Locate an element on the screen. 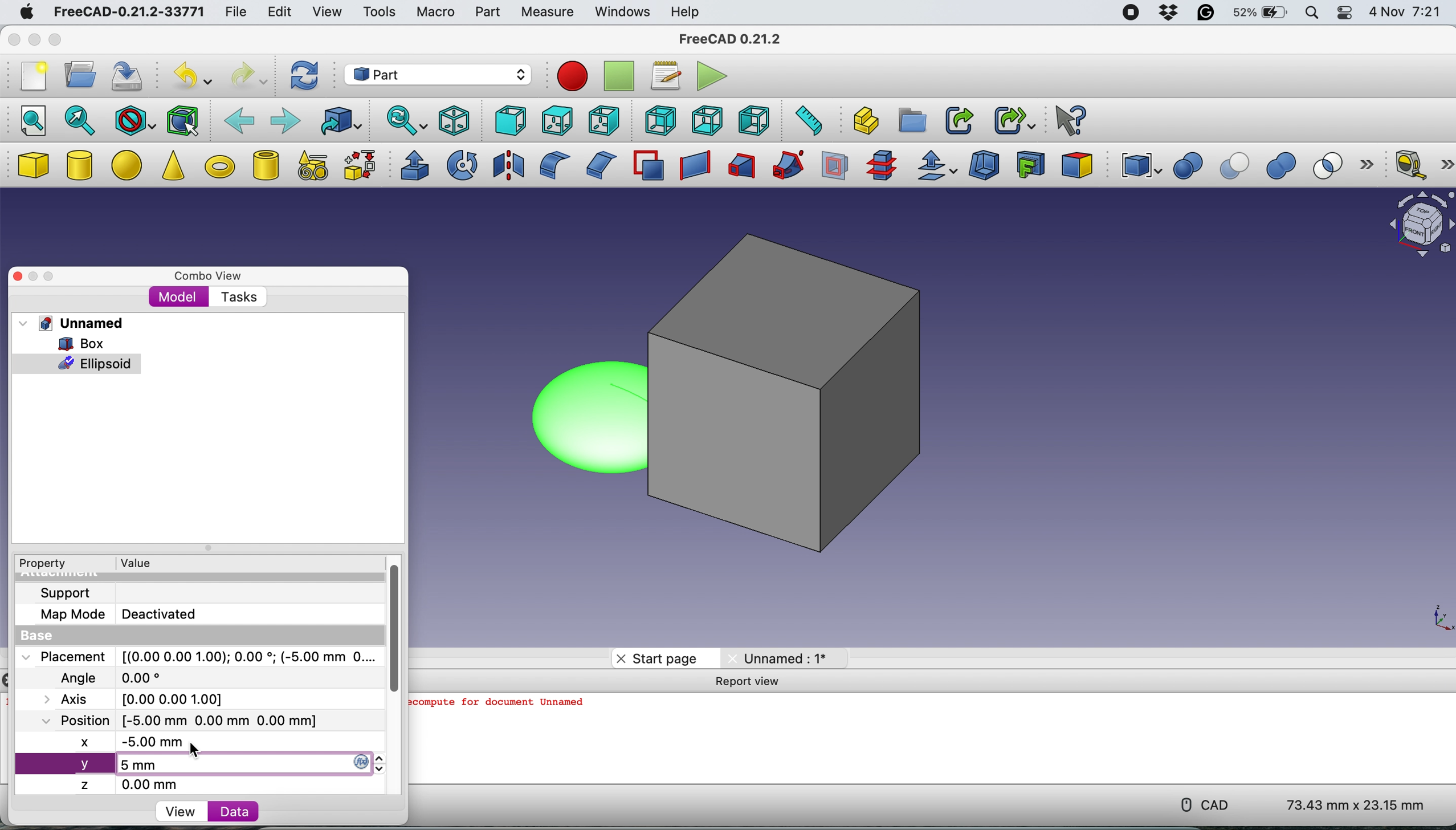  tasks is located at coordinates (236, 297).